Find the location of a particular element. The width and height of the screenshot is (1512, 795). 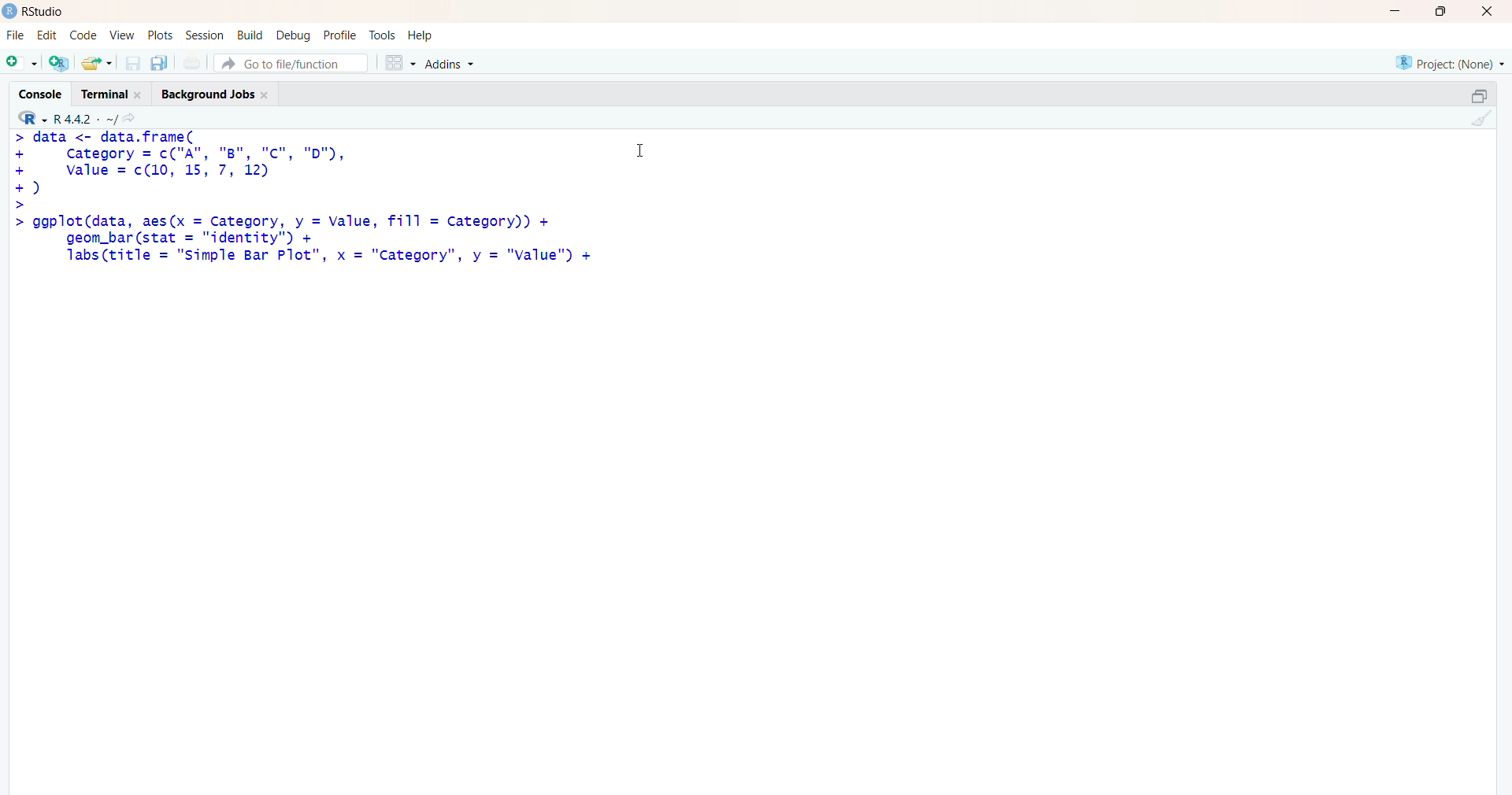

Close is located at coordinates (1484, 11).